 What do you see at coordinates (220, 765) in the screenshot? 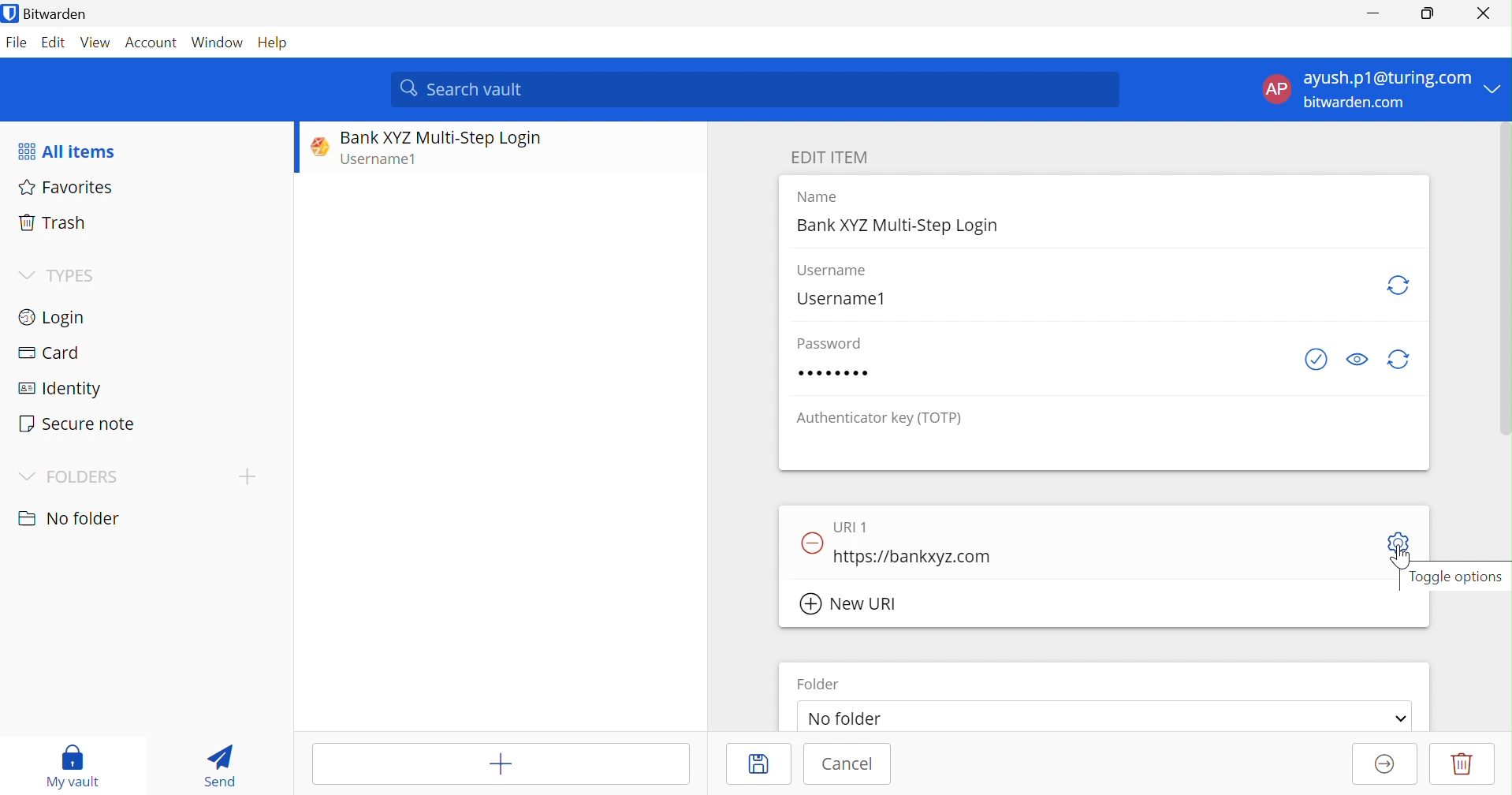
I see `Send` at bounding box center [220, 765].